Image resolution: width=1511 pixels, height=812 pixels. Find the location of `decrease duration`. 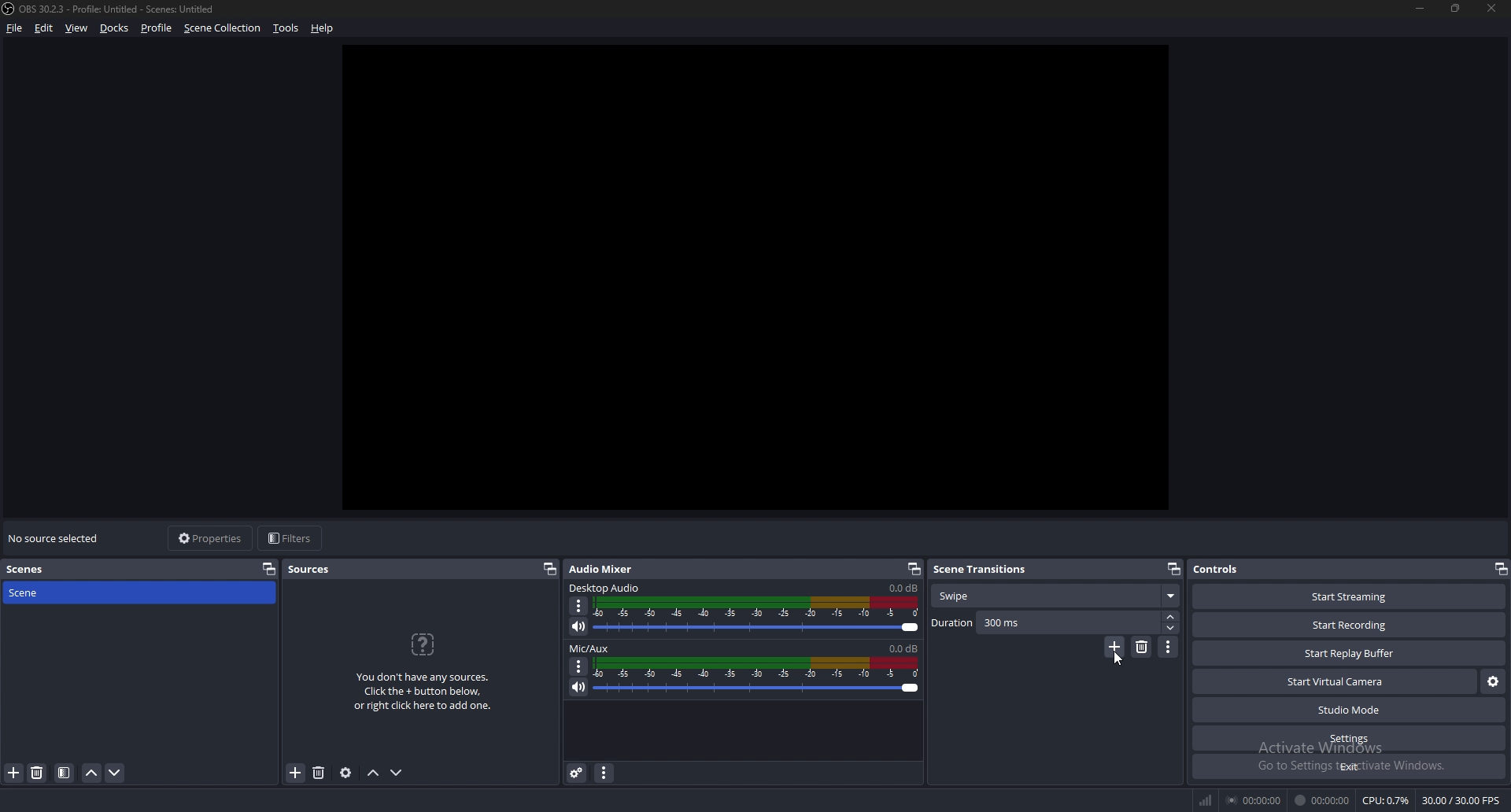

decrease duration is located at coordinates (1172, 628).